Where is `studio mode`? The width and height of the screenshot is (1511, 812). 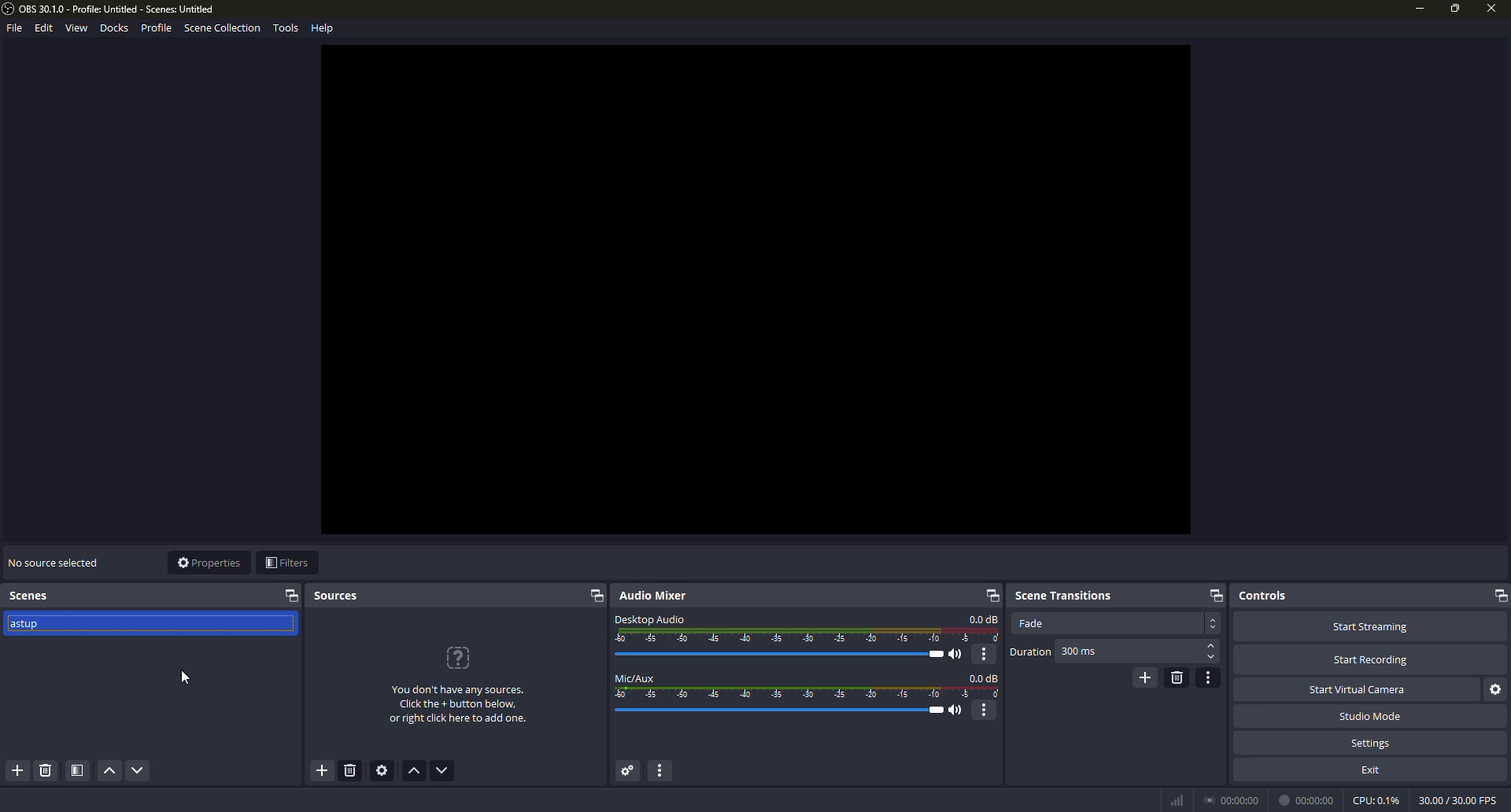
studio mode is located at coordinates (1369, 716).